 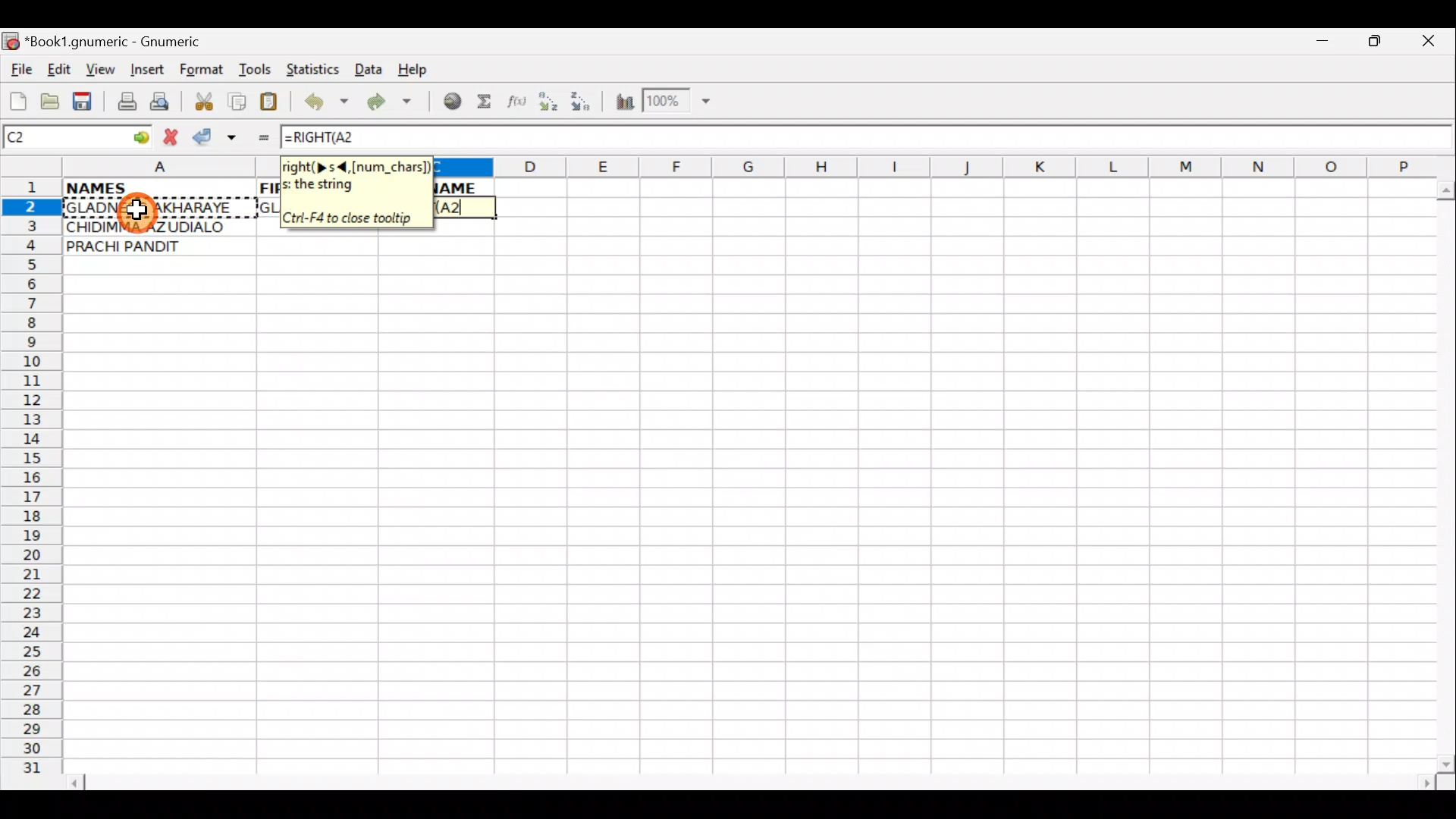 I want to click on Cells, so click(x=748, y=526).